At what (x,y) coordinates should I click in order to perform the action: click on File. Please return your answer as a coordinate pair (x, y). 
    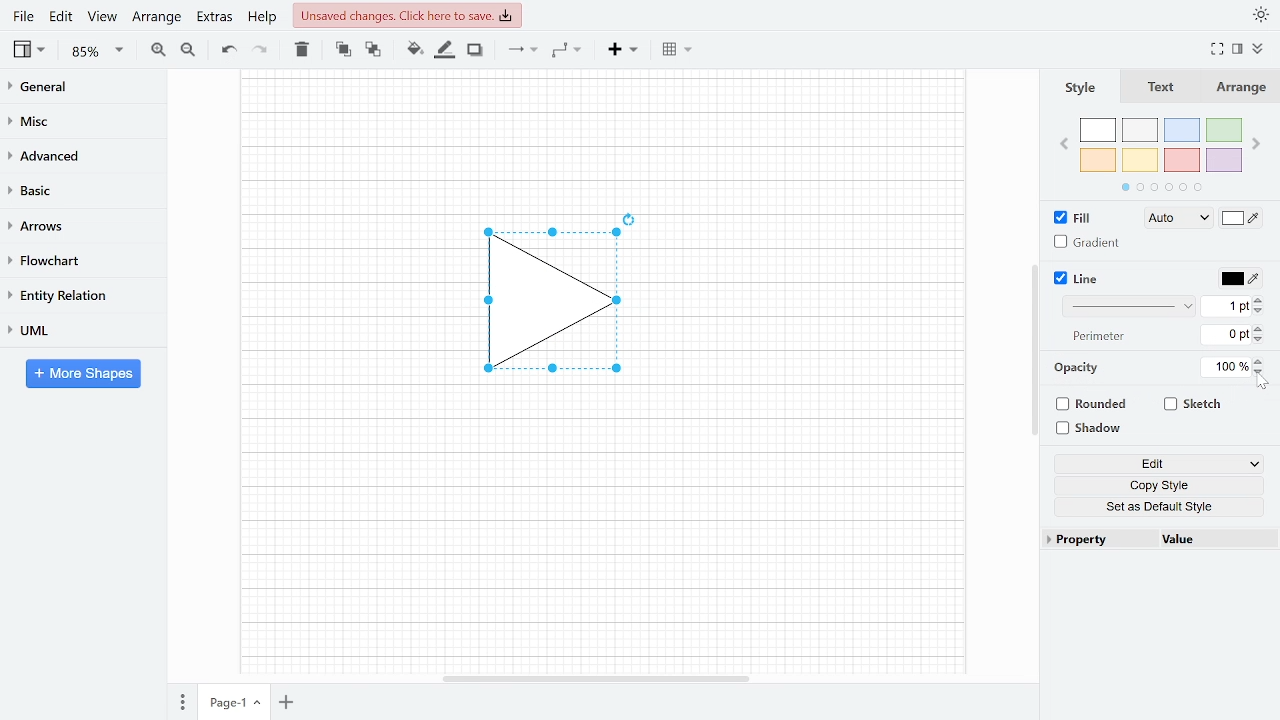
    Looking at the image, I should click on (23, 16).